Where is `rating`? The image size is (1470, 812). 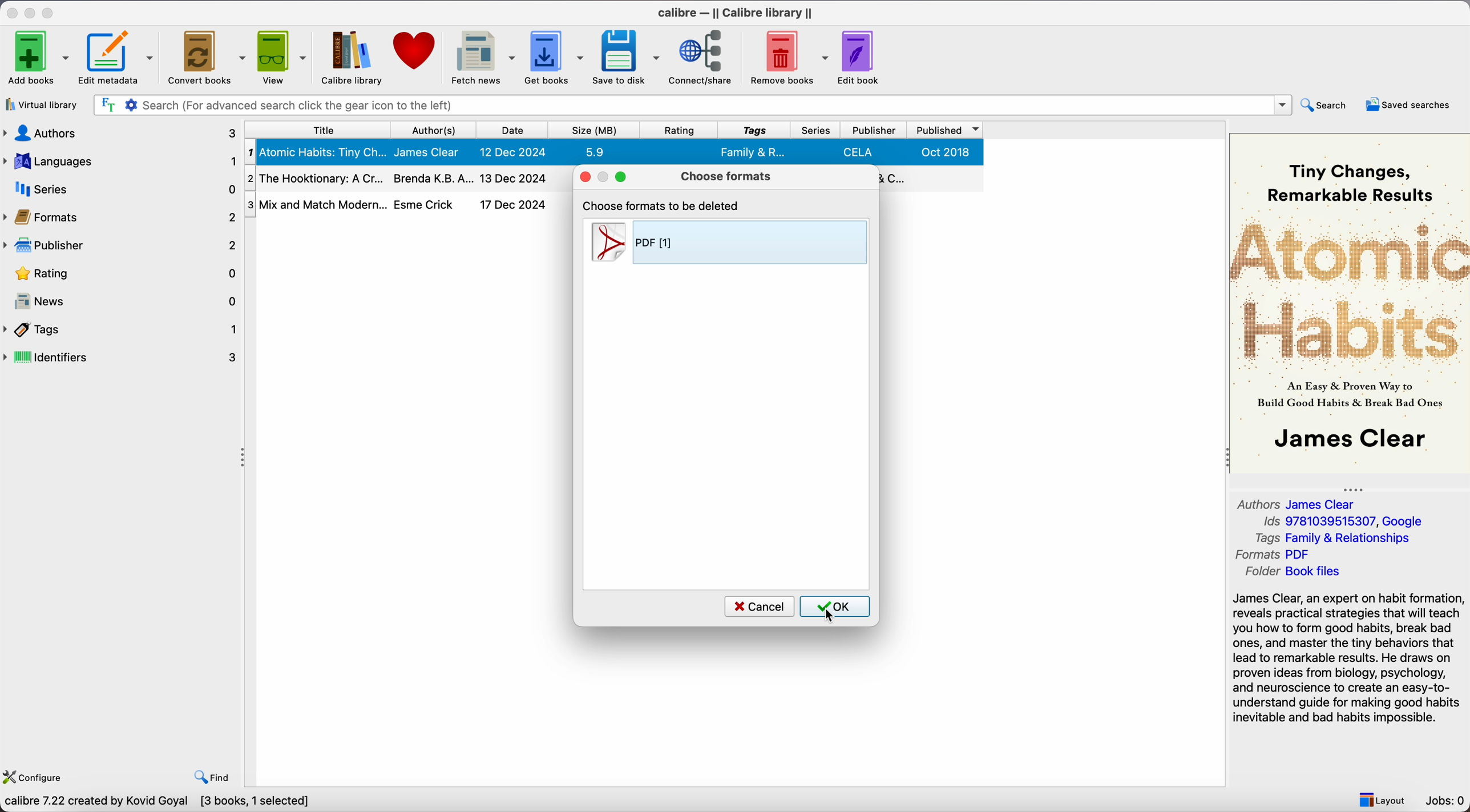 rating is located at coordinates (122, 274).